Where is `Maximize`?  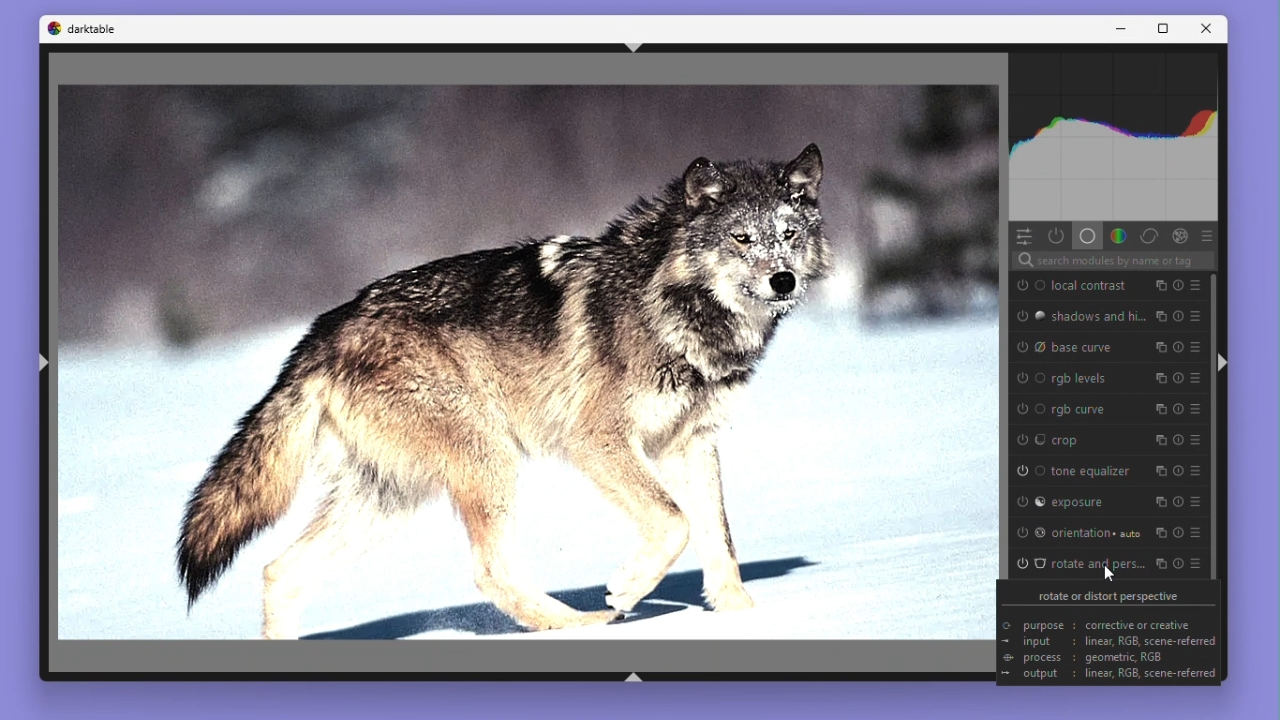 Maximize is located at coordinates (1165, 31).